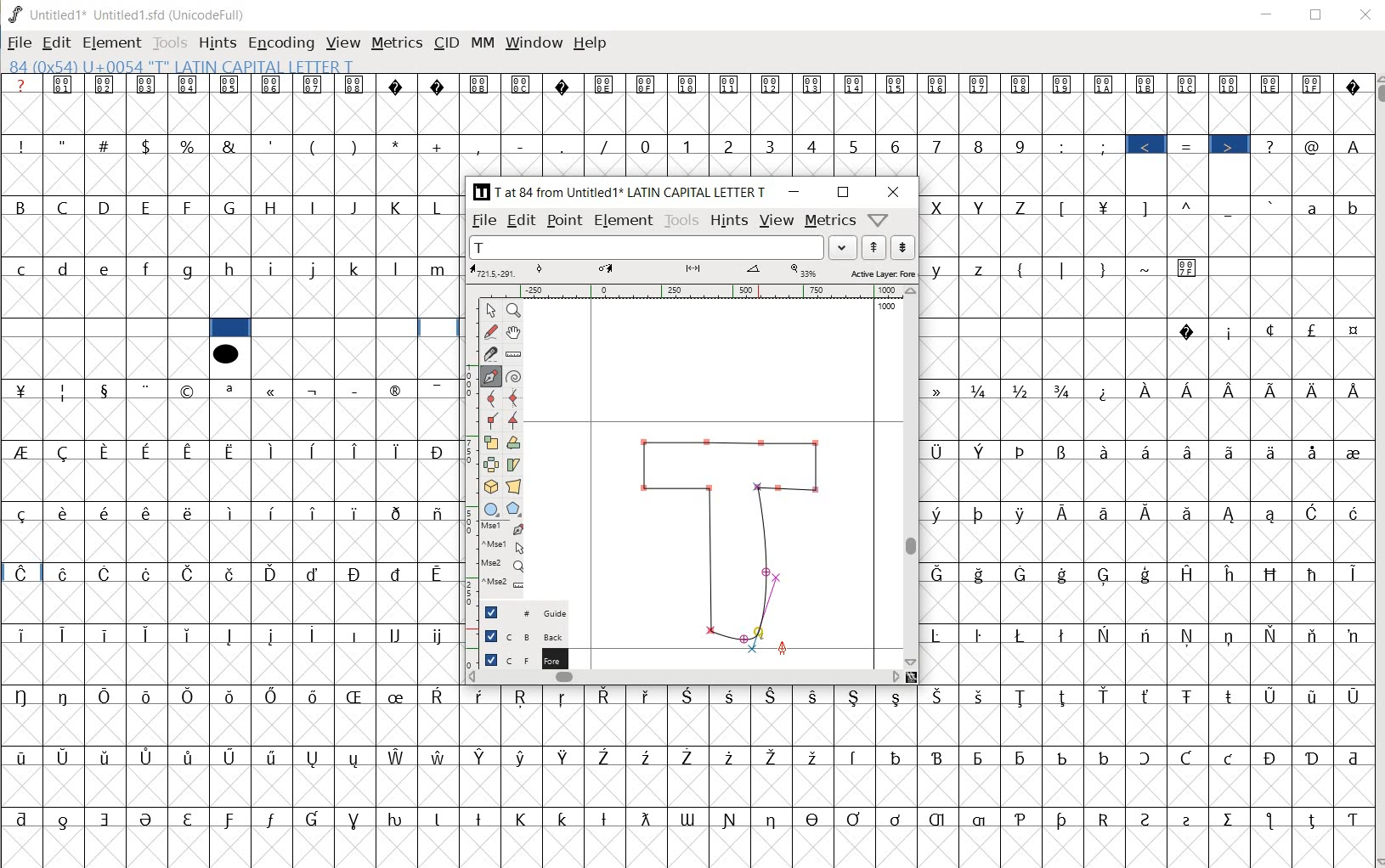  Describe the element at coordinates (504, 529) in the screenshot. I see `Mouse left button` at that location.